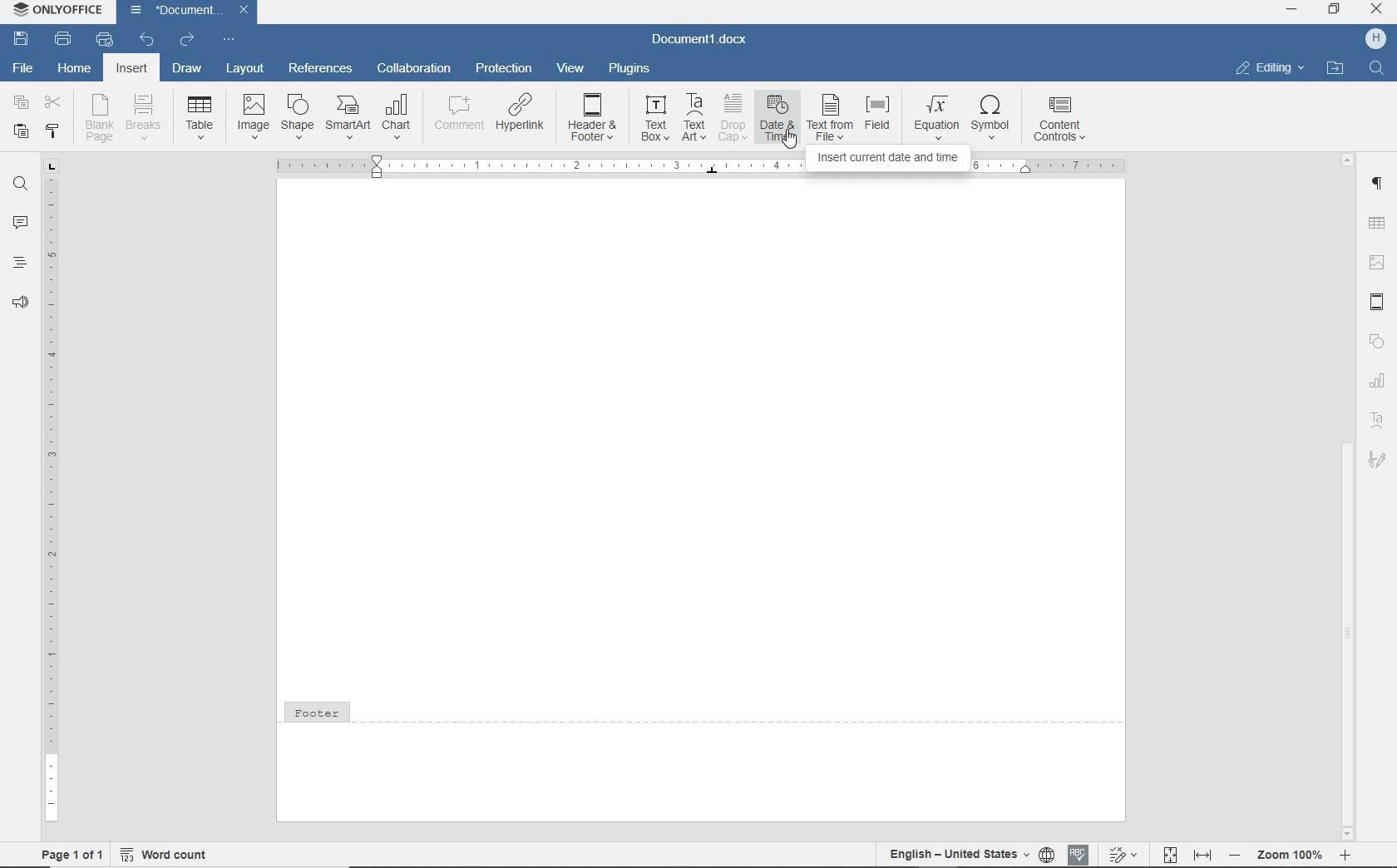 This screenshot has width=1397, height=868. I want to click on blank page, so click(101, 118).